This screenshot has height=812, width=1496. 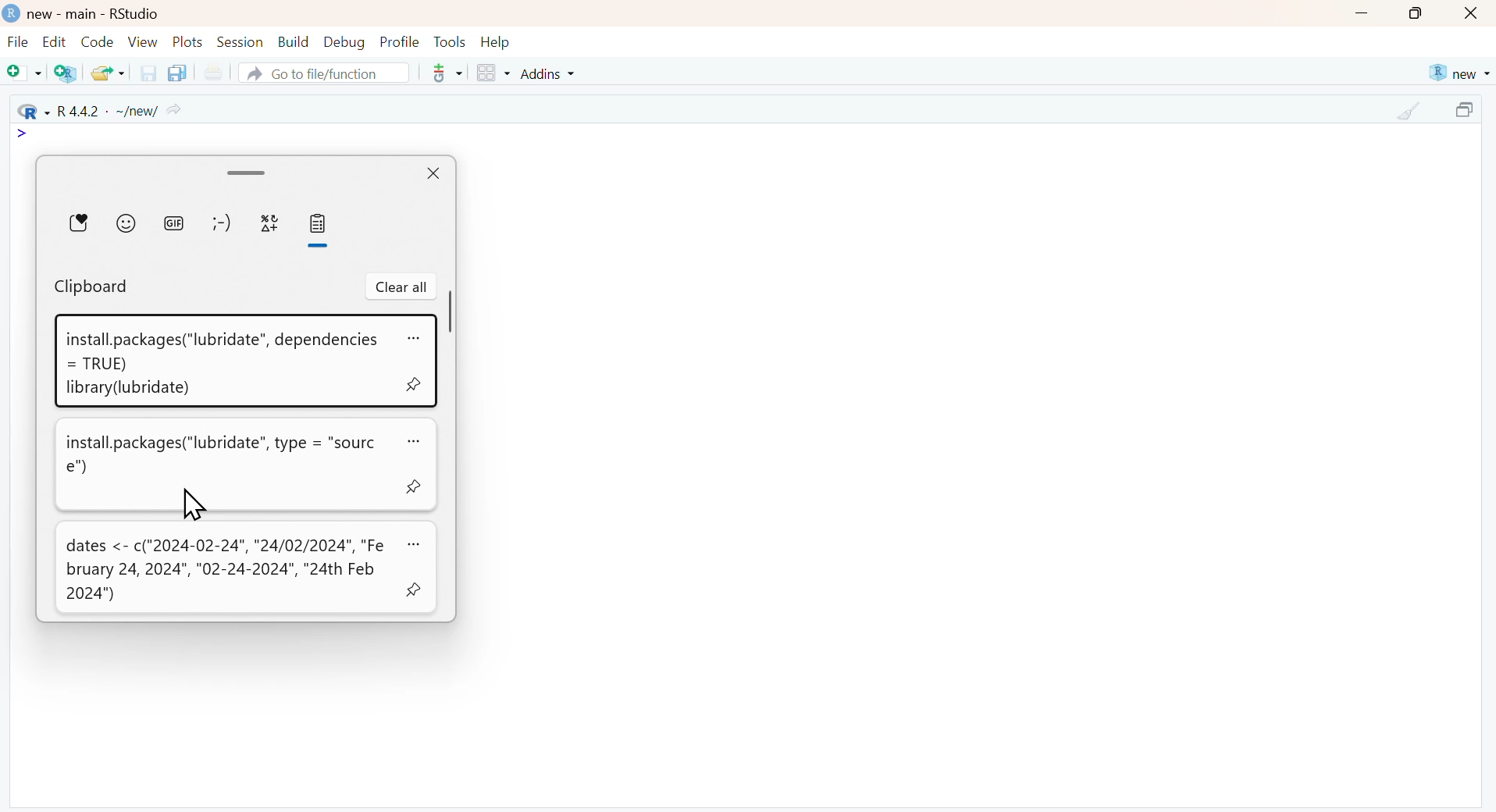 I want to click on icon, so click(x=23, y=134).